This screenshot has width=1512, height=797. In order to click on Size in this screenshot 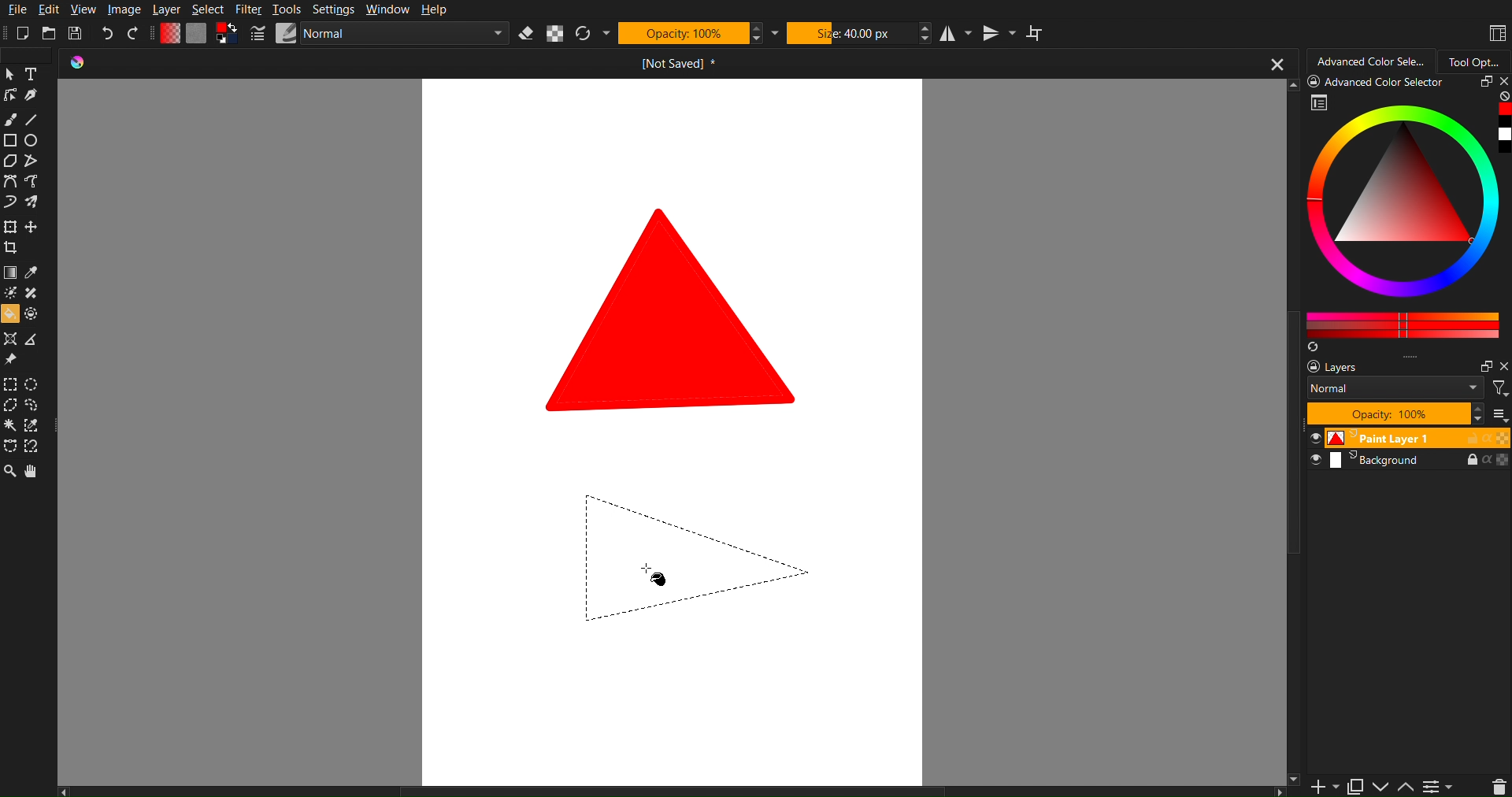, I will do `click(853, 34)`.